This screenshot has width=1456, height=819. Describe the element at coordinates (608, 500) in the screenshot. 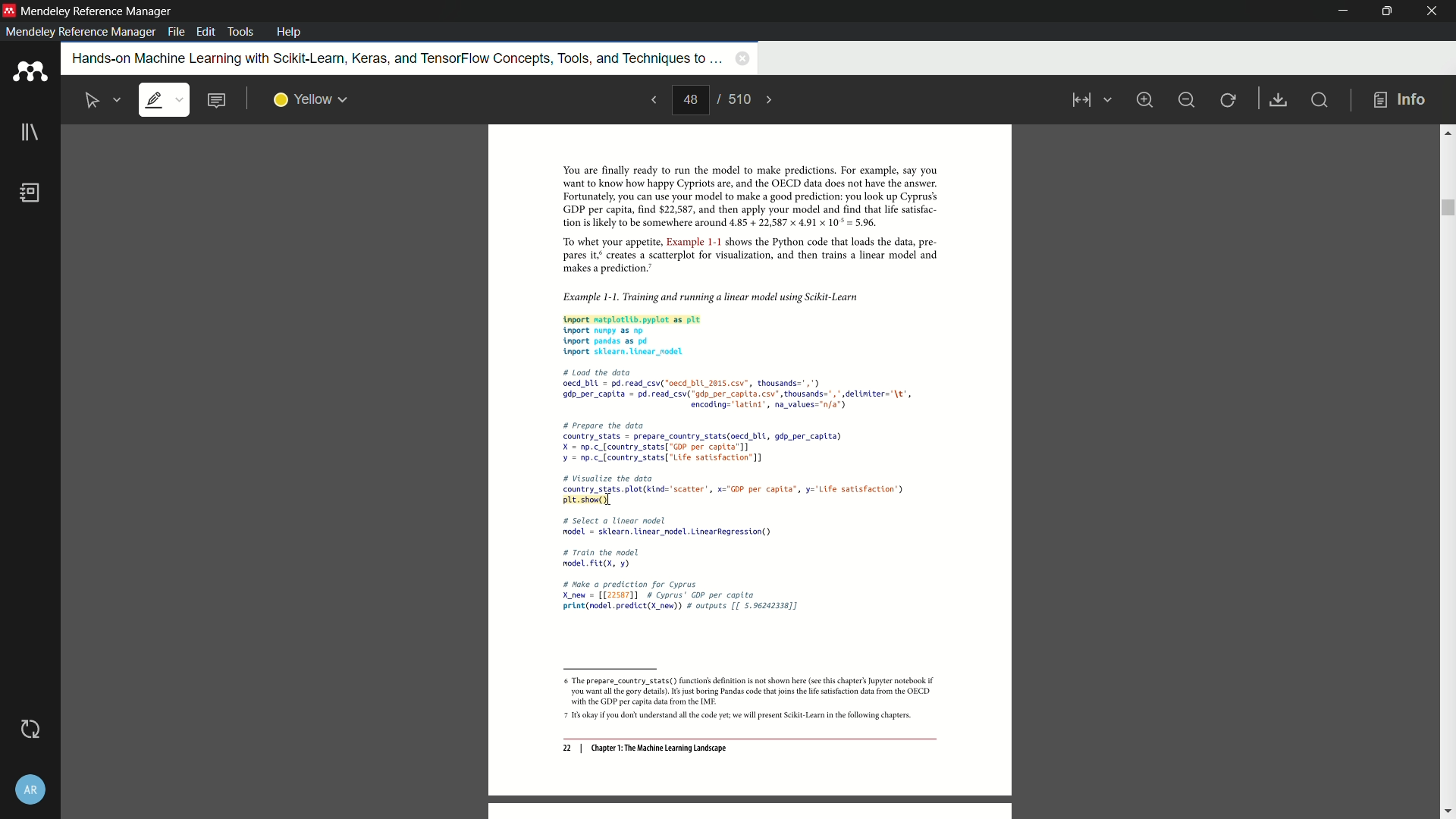

I see `cursor` at that location.